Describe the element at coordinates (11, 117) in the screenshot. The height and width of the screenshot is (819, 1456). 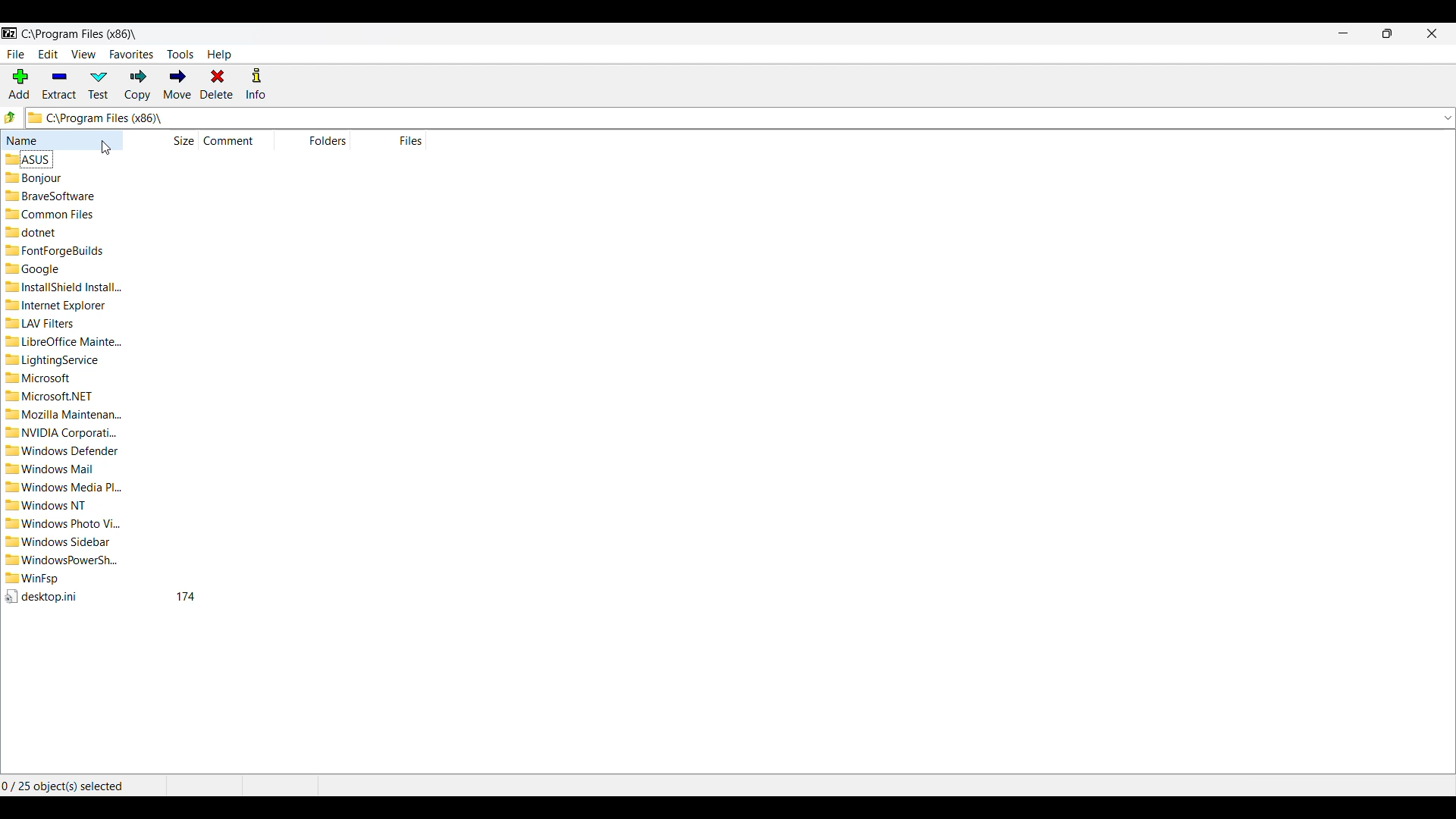
I see `Go to previous folder` at that location.